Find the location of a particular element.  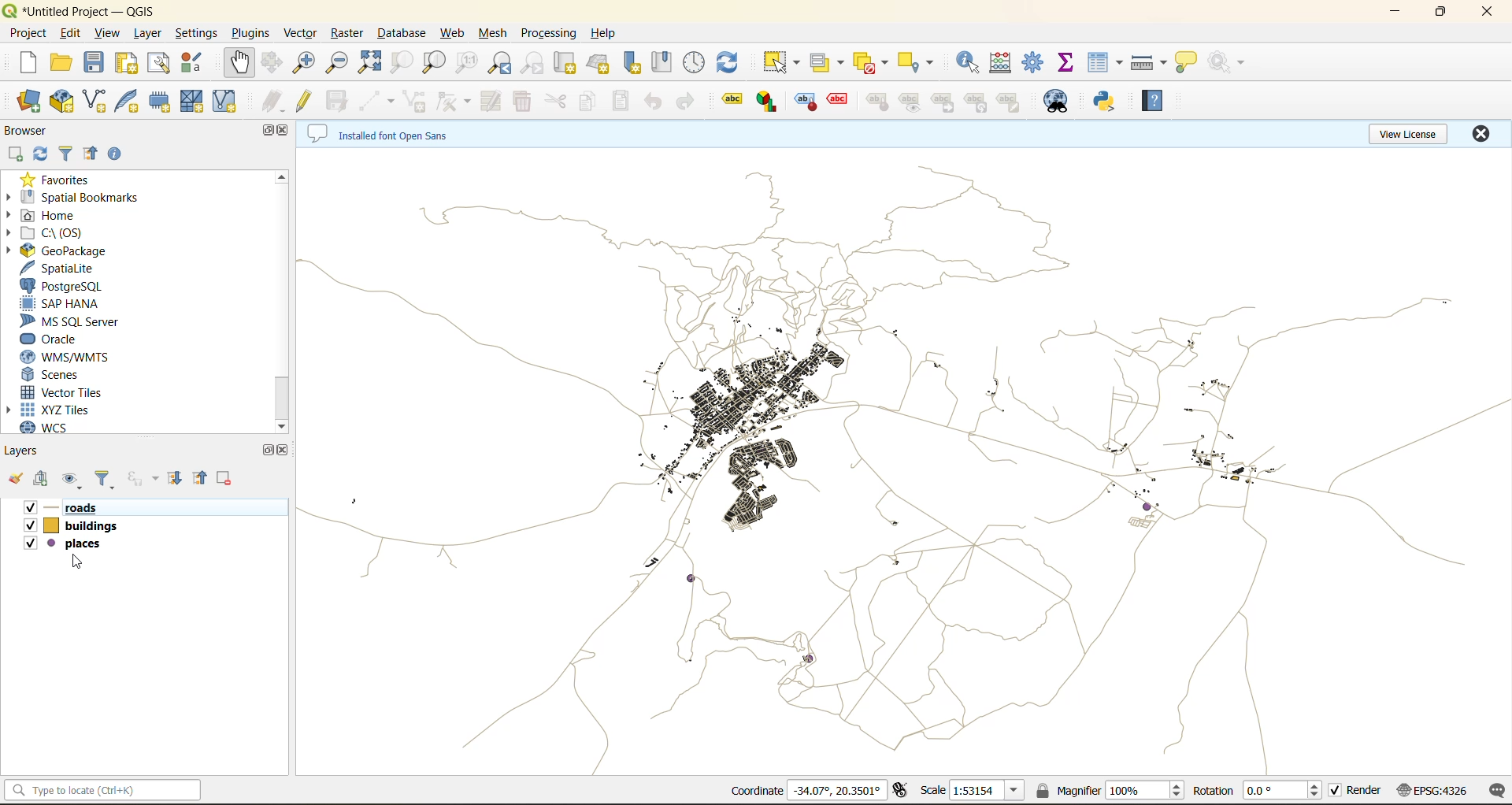

show layout is located at coordinates (160, 63).